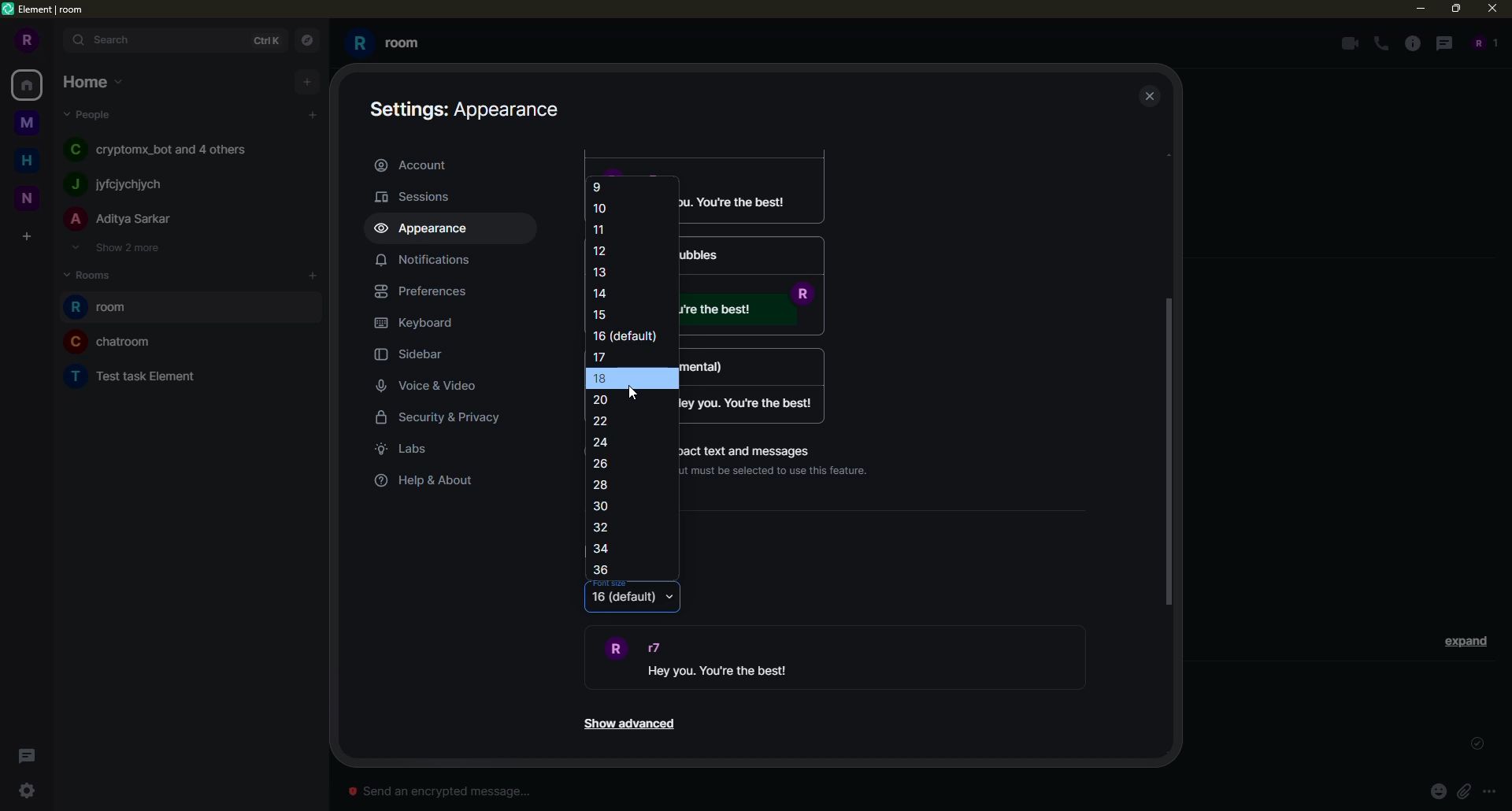  I want to click on people, so click(120, 184).